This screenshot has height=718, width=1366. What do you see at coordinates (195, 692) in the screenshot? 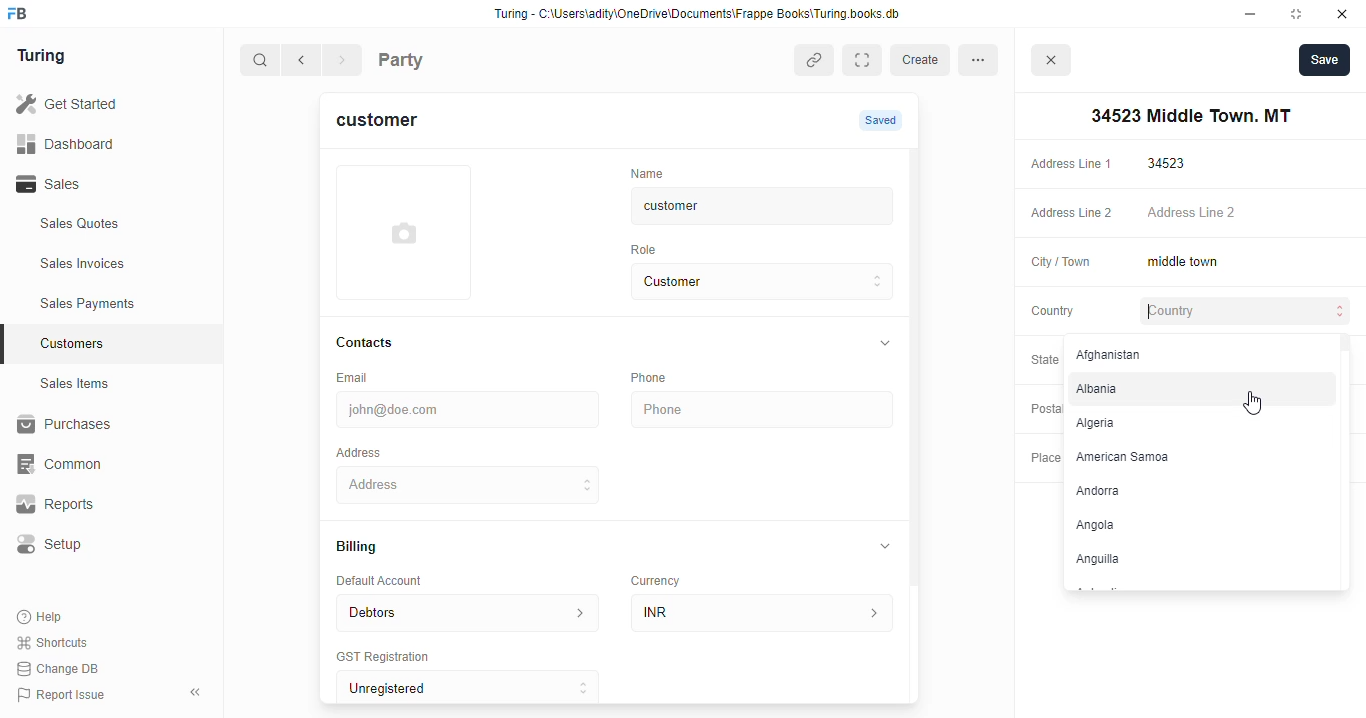
I see `collpase` at bounding box center [195, 692].